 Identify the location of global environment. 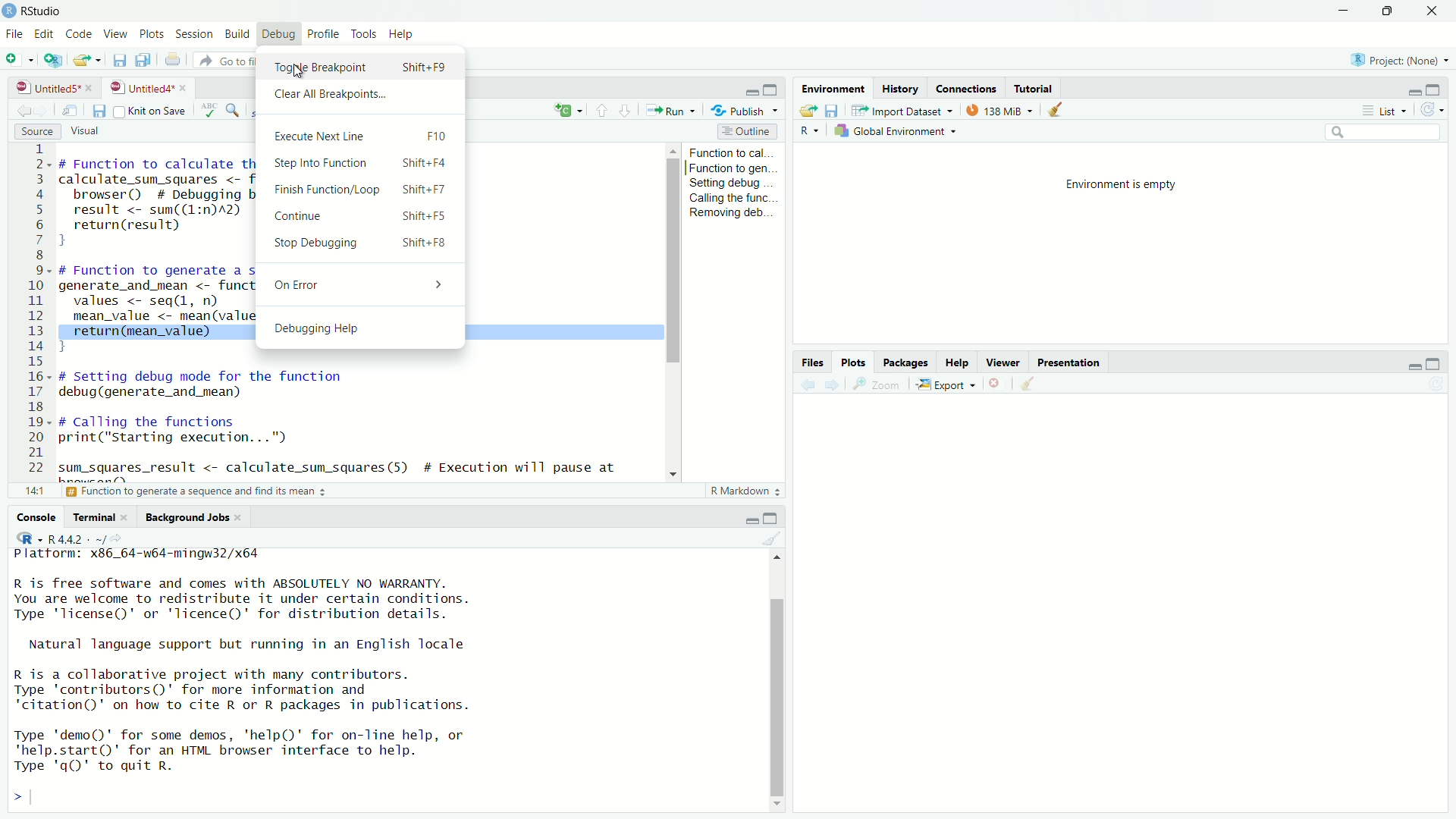
(899, 133).